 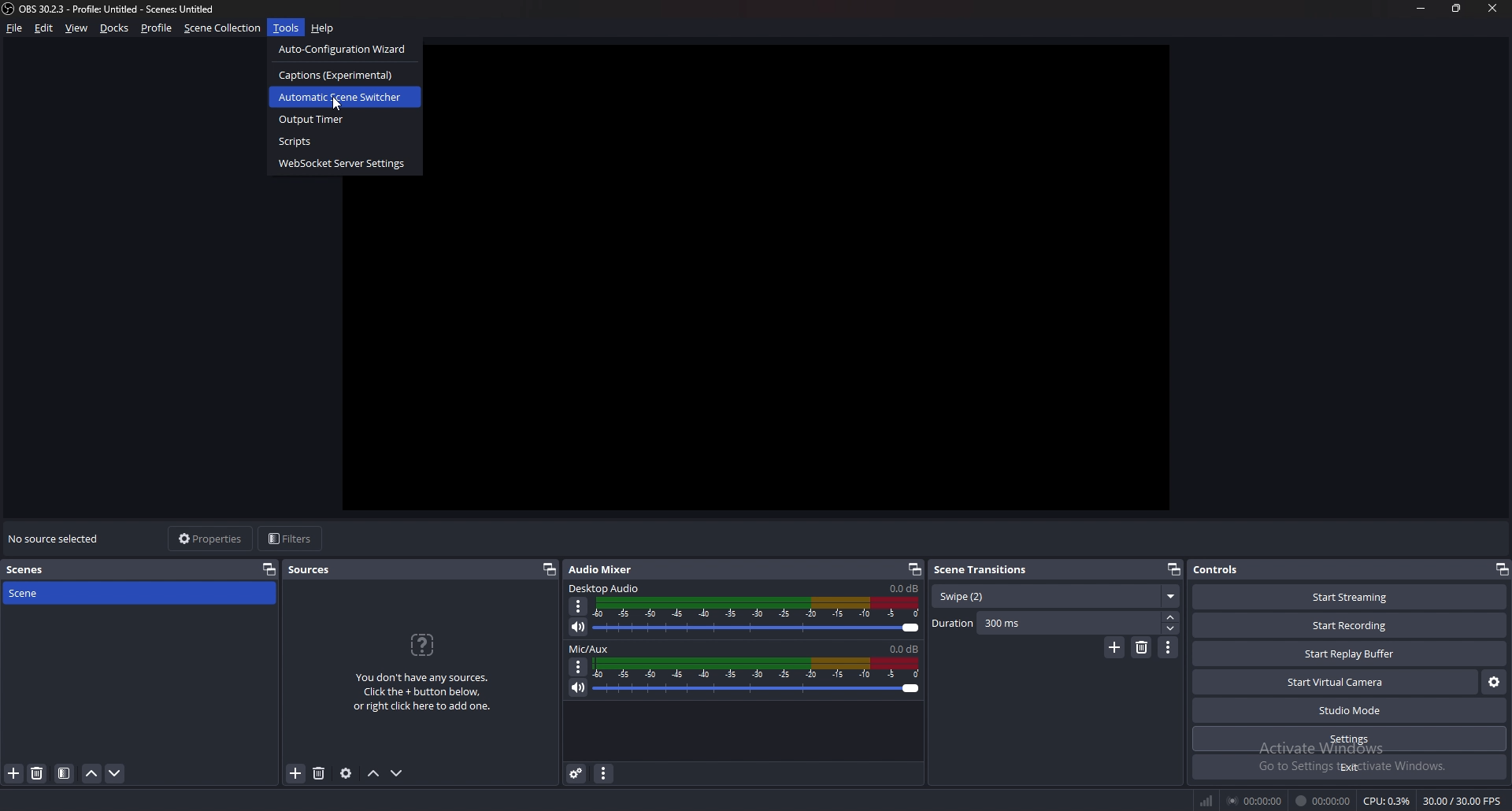 What do you see at coordinates (1464, 801) in the screenshot?
I see `fps` at bounding box center [1464, 801].